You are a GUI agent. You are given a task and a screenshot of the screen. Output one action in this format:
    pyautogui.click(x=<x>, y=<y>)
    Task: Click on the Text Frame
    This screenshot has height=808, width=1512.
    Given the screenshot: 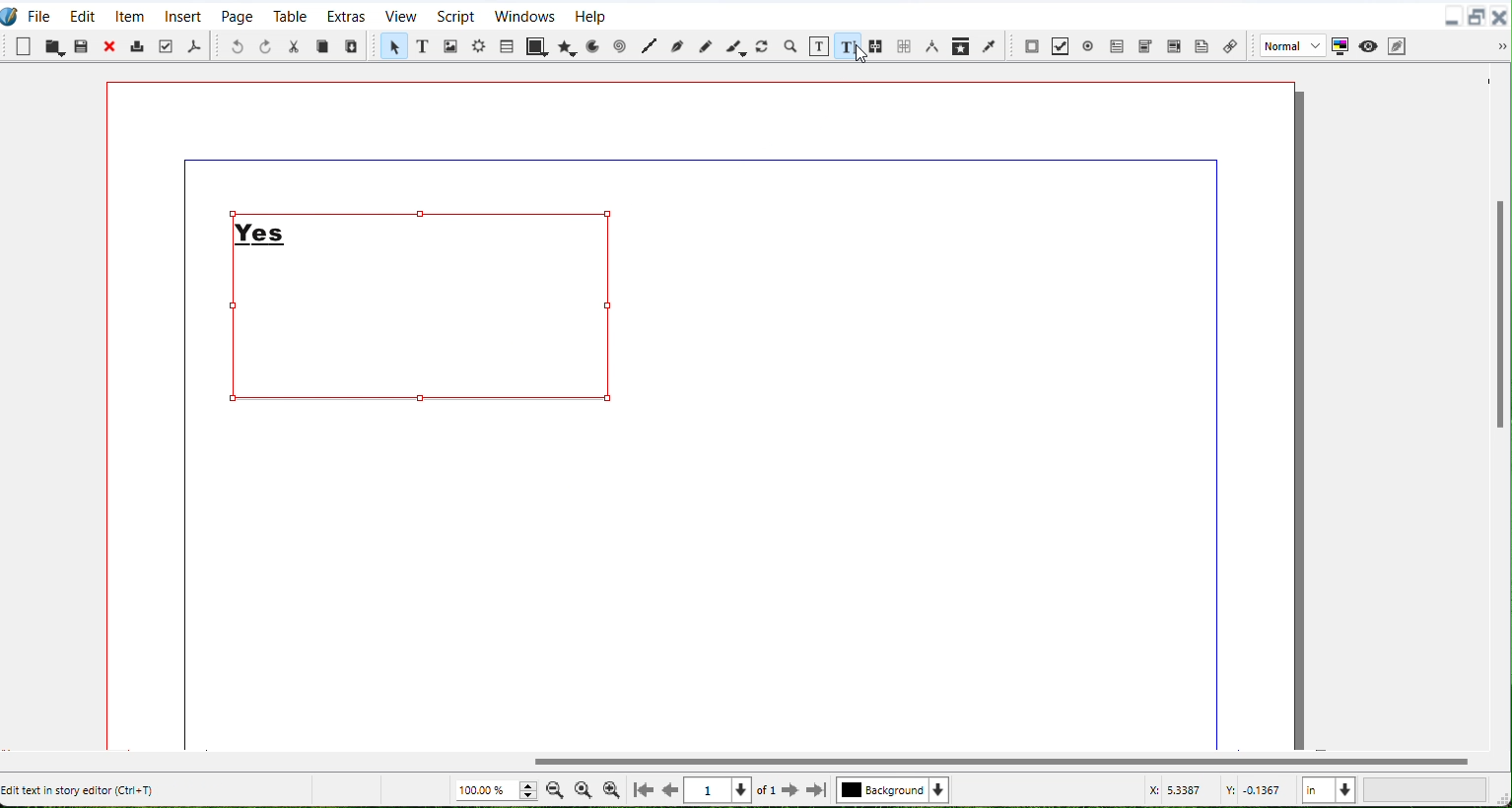 What is the action you would take?
    pyautogui.click(x=426, y=306)
    